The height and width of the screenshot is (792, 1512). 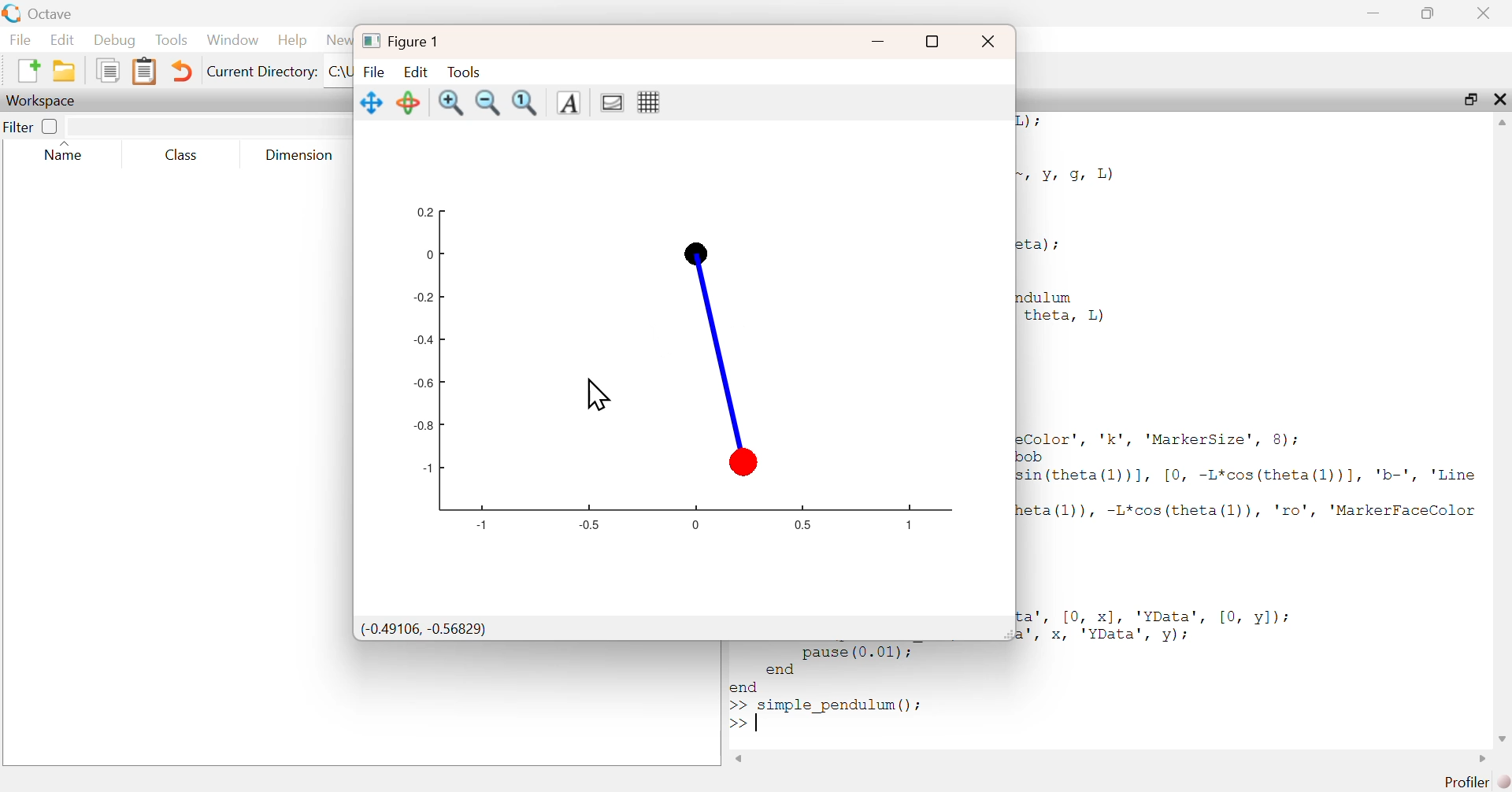 I want to click on zoom out, so click(x=487, y=103).